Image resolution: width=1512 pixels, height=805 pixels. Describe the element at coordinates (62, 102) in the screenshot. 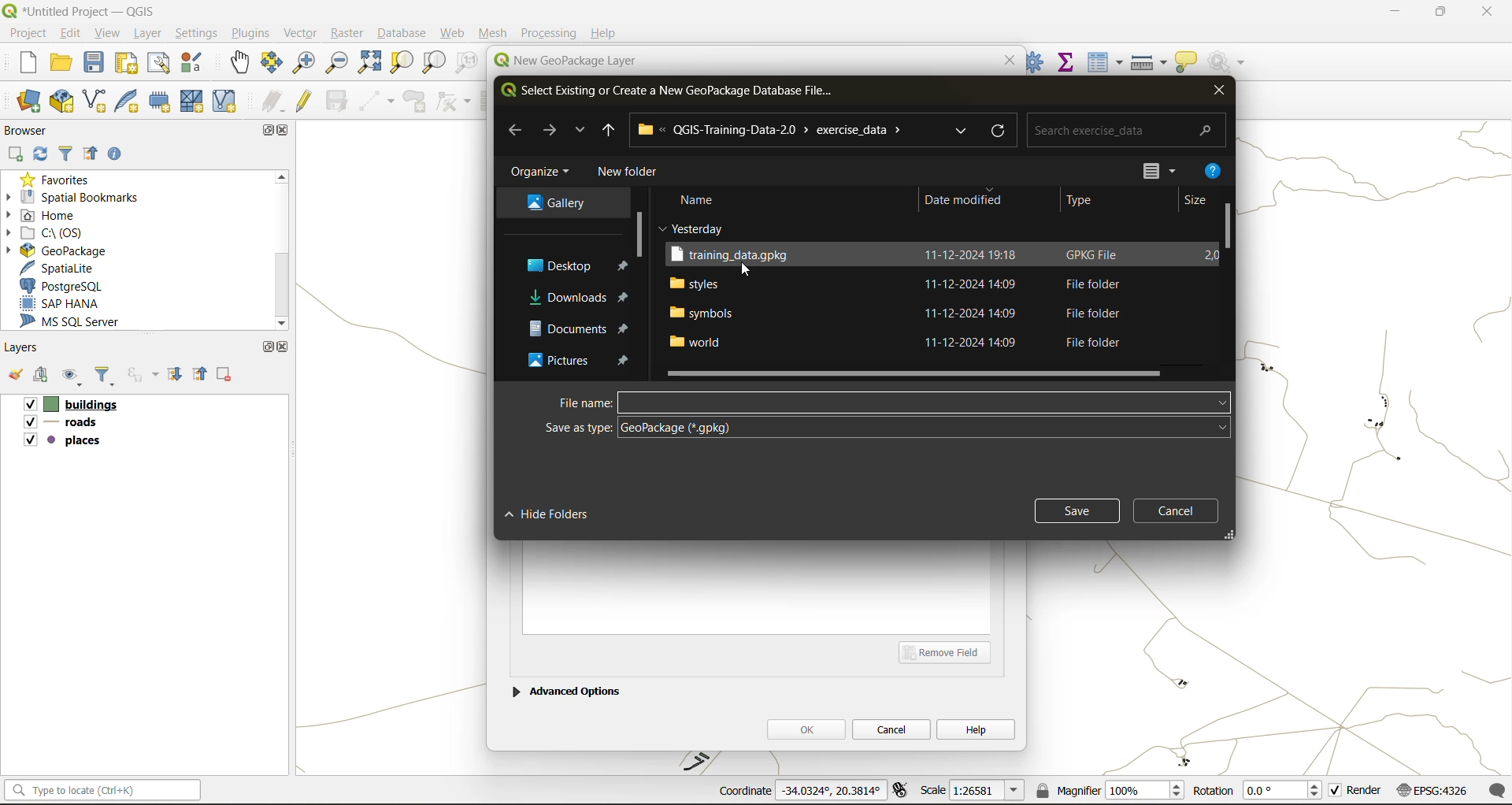

I see `new geopackage ` at that location.